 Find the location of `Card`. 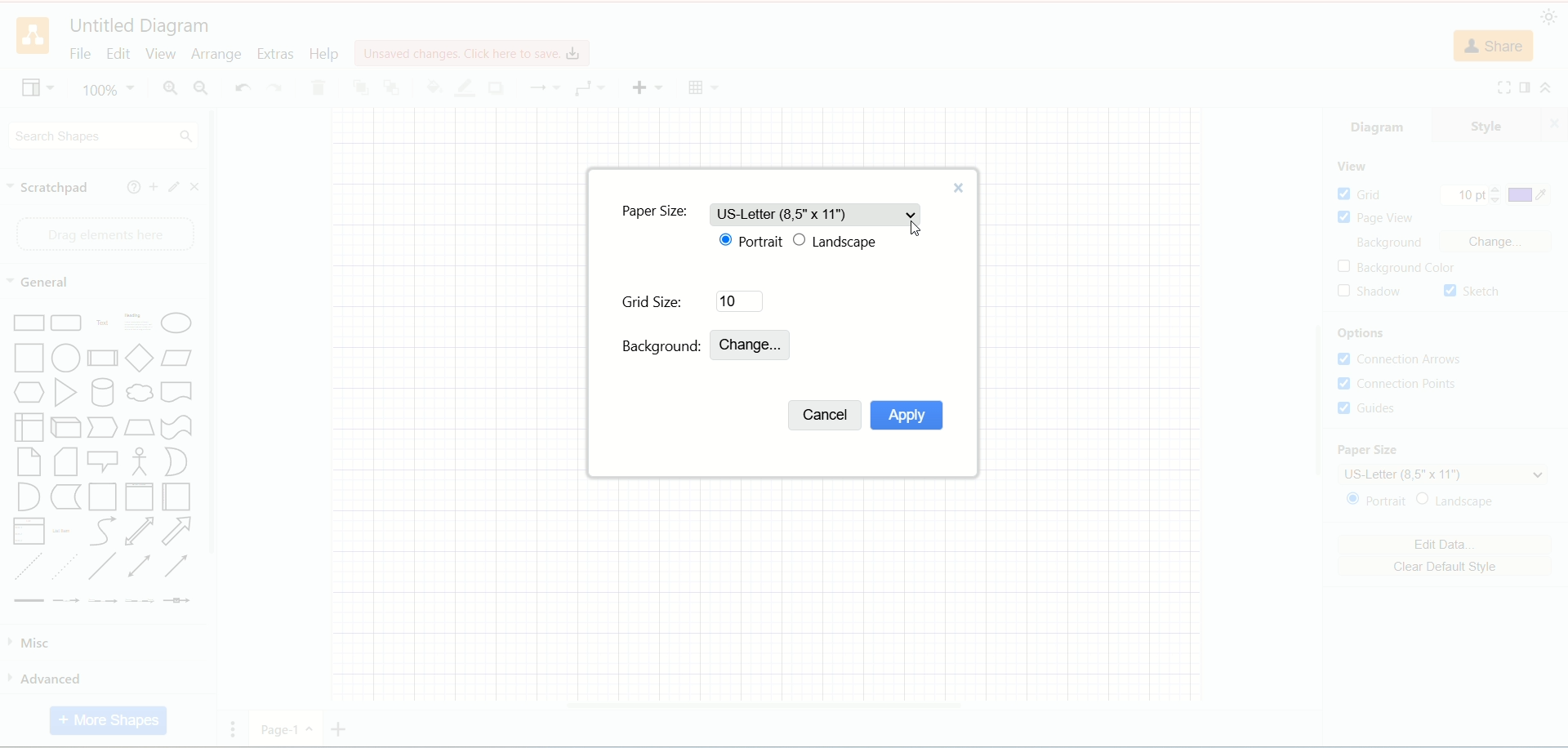

Card is located at coordinates (67, 464).